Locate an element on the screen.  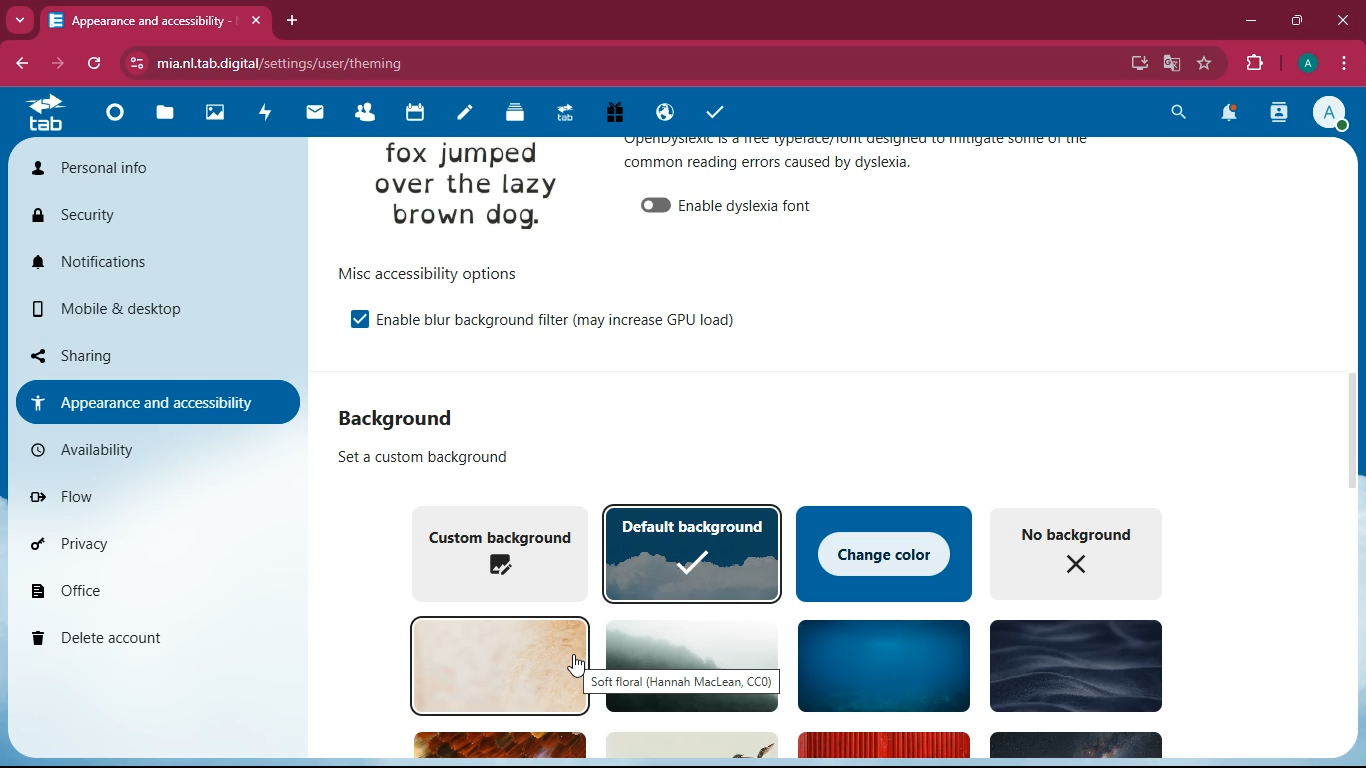
background is located at coordinates (689, 663).